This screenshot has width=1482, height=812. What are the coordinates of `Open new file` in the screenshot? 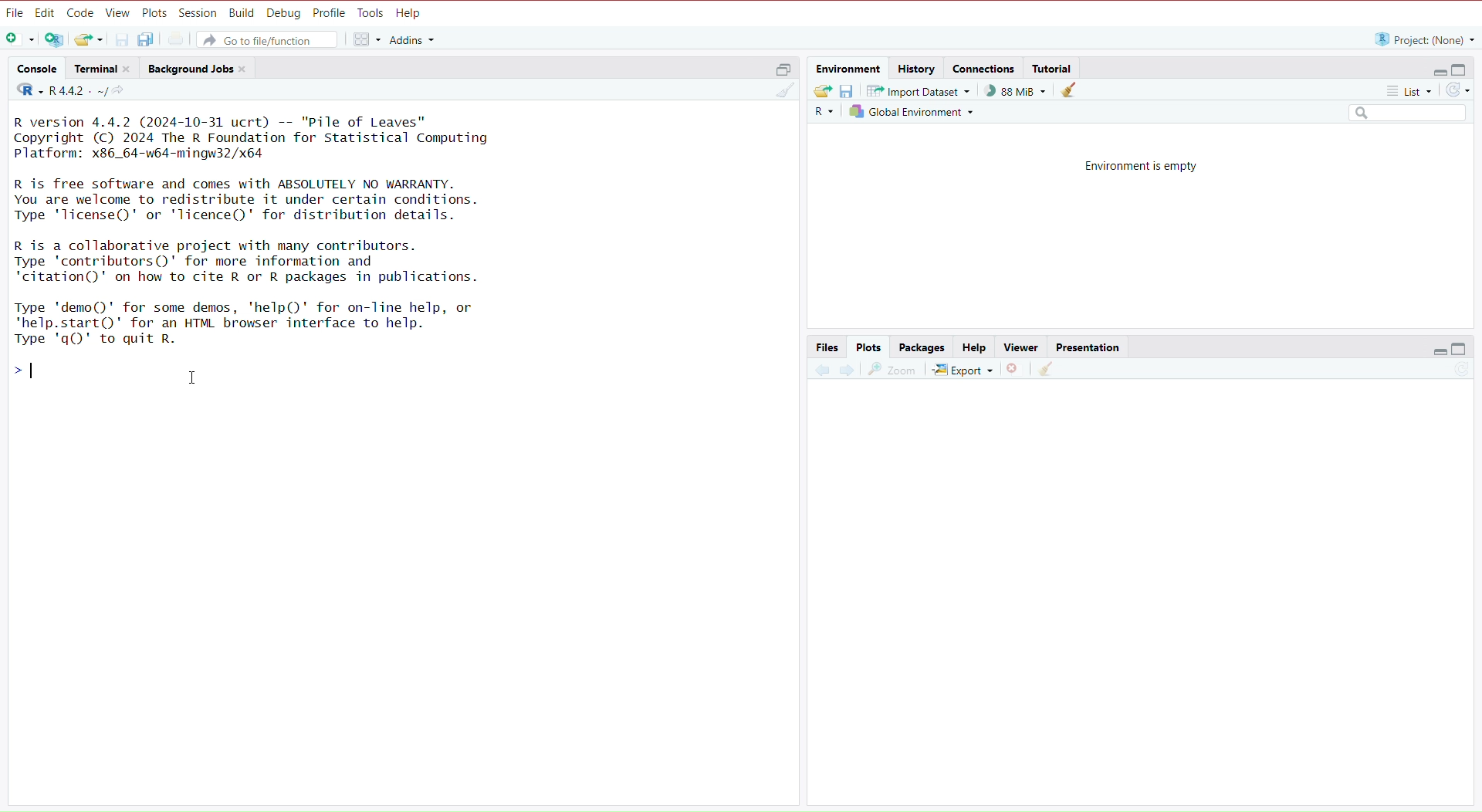 It's located at (22, 40).